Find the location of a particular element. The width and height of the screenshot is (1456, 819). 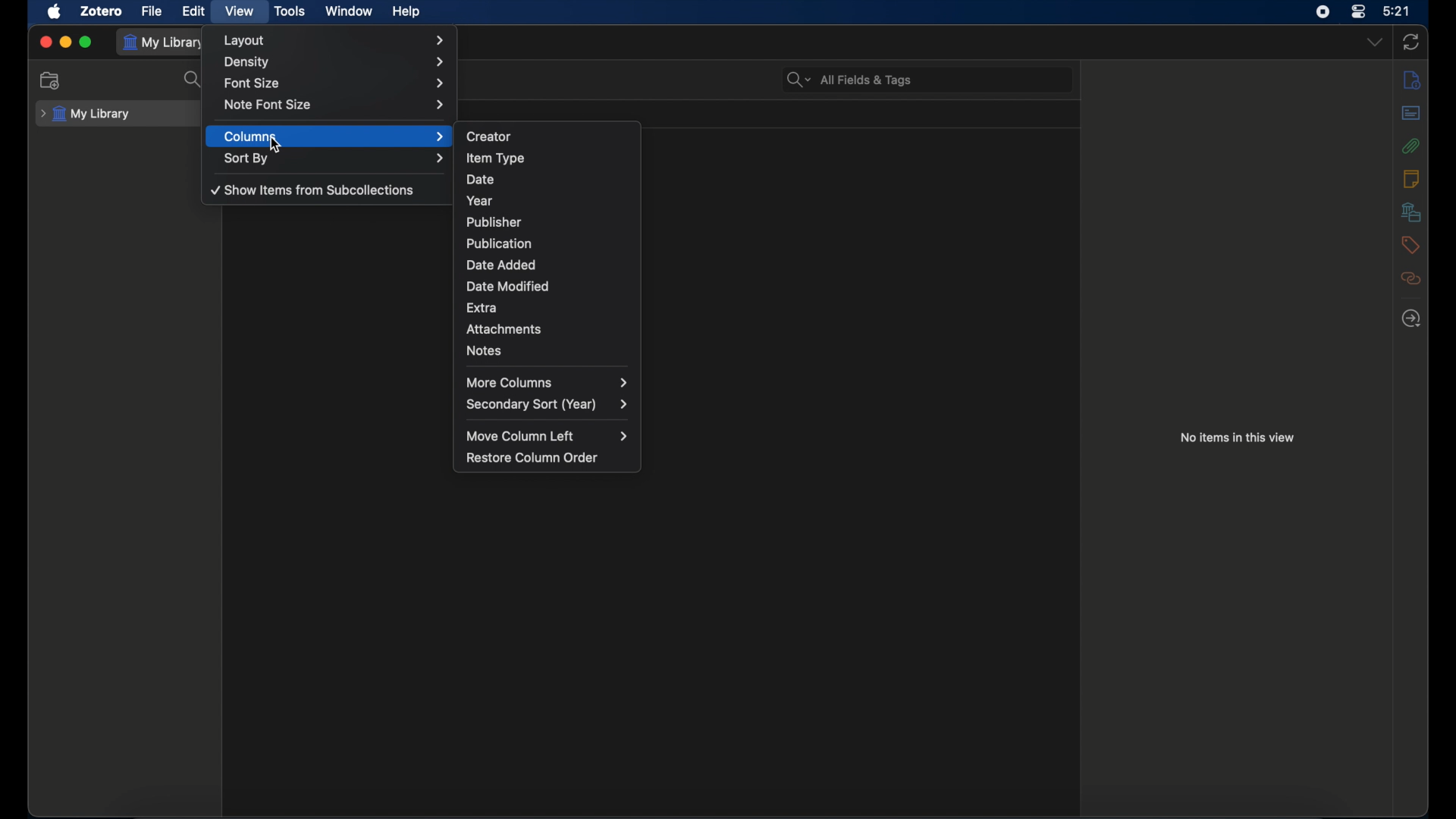

close is located at coordinates (45, 41).